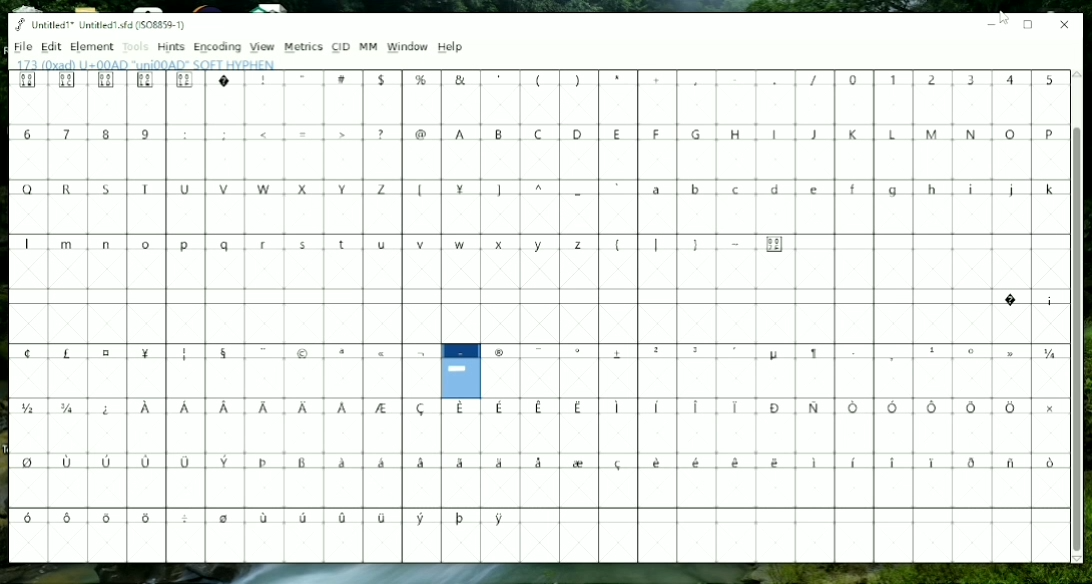  I want to click on Letter name, so click(148, 63).